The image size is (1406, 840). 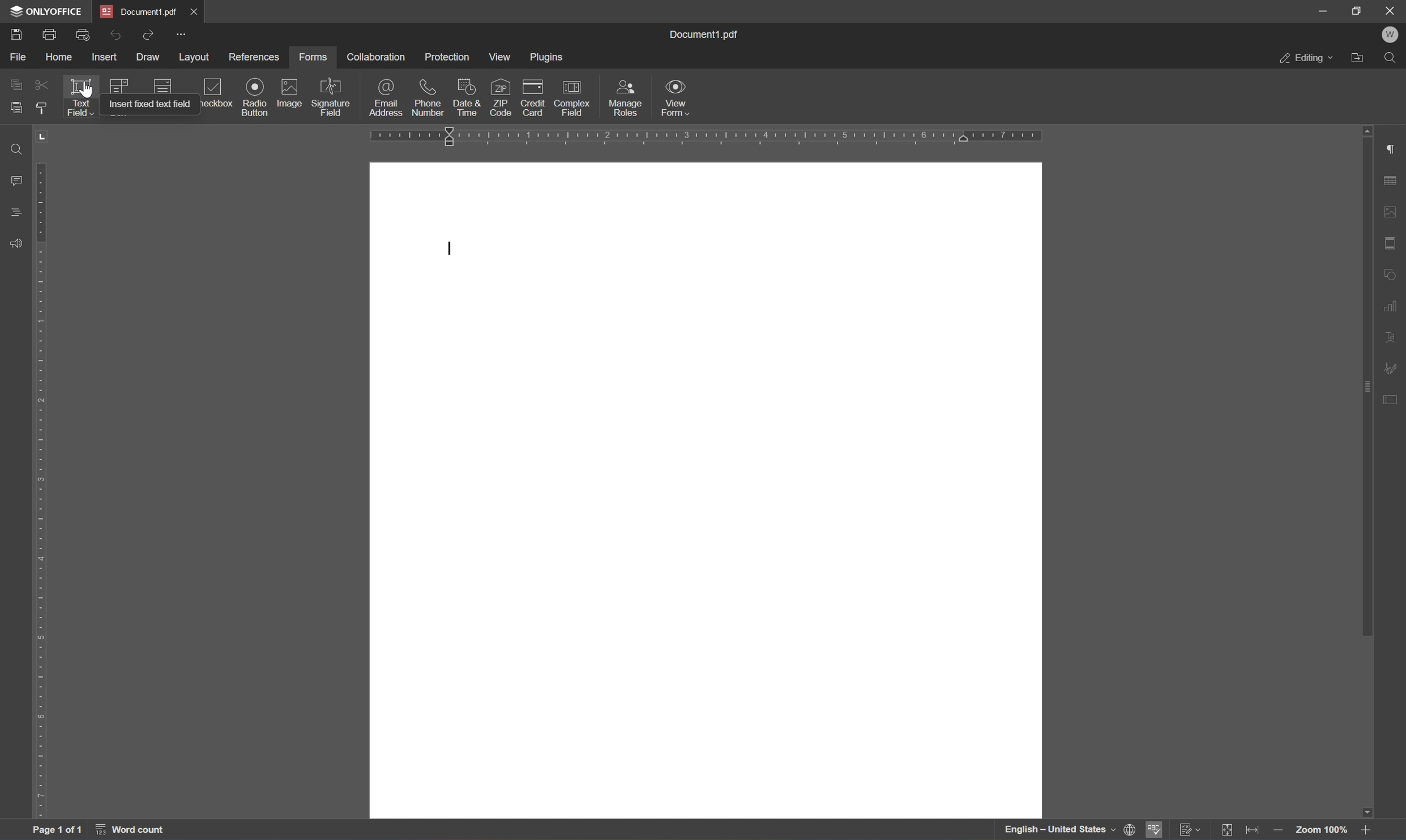 I want to click on view, so click(x=499, y=59).